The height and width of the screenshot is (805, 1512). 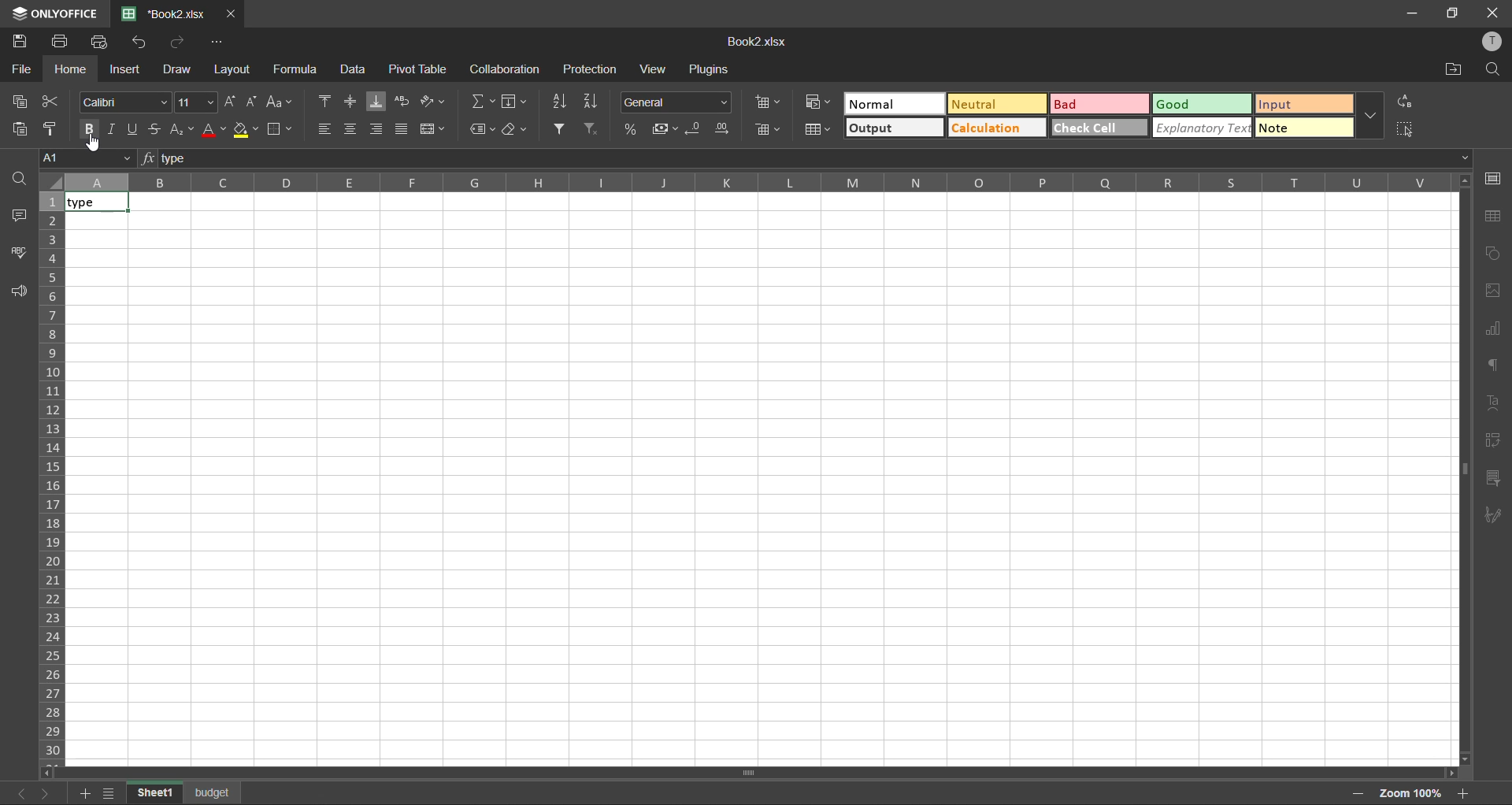 I want to click on sort descending, so click(x=592, y=101).